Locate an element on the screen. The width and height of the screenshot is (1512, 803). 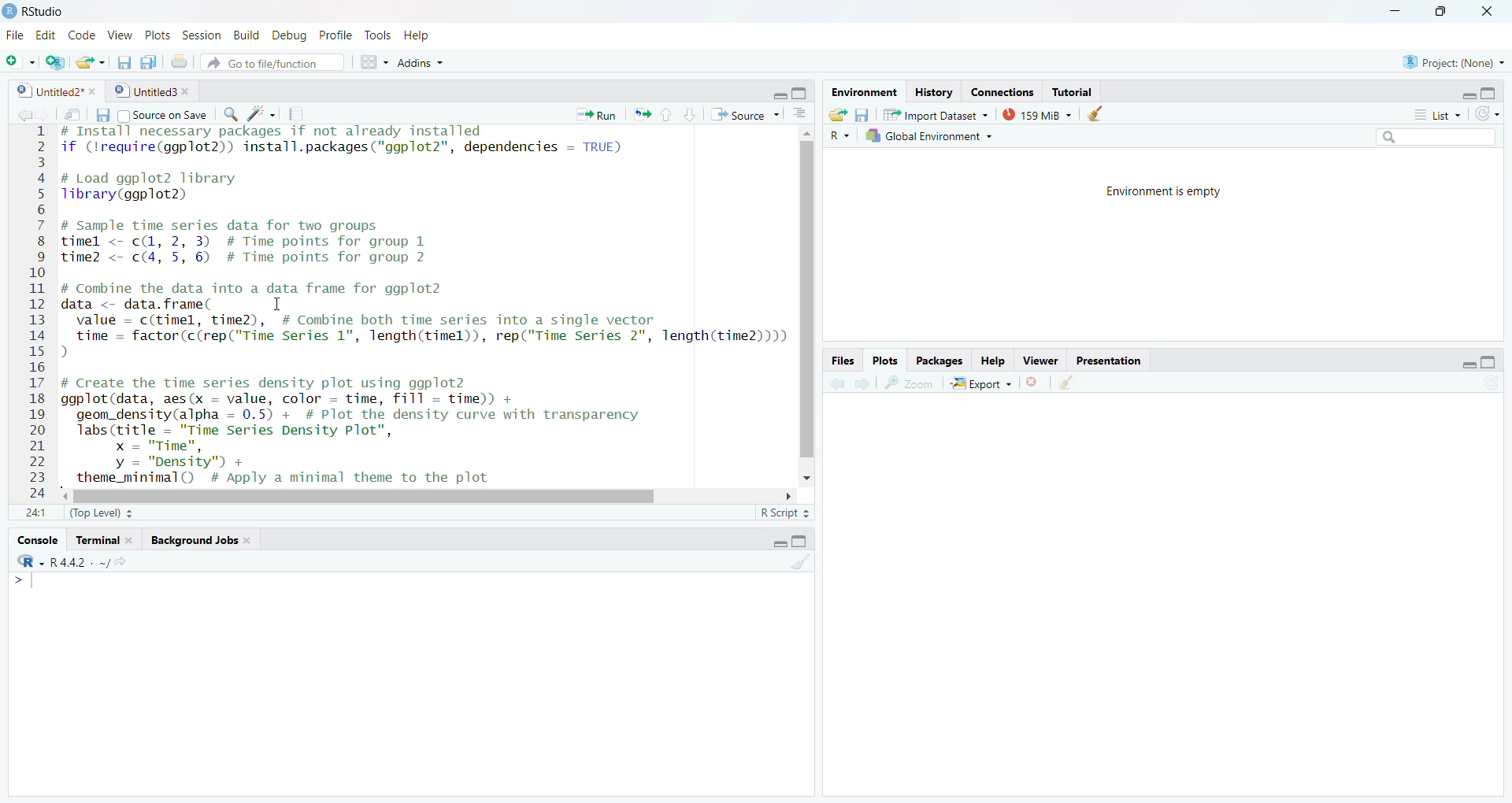
Run is located at coordinates (595, 115).